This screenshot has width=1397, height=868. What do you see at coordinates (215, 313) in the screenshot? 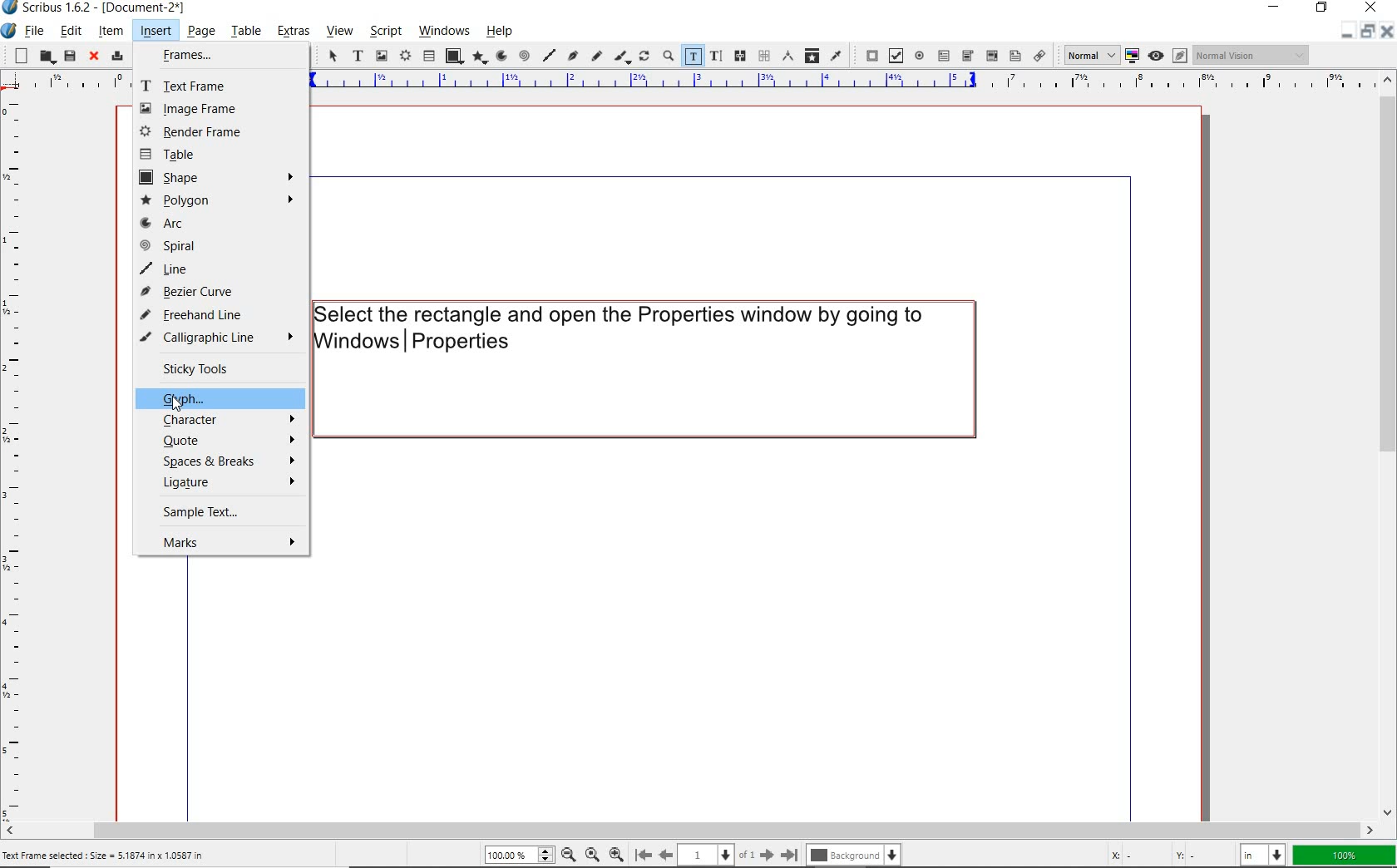
I see `freehand line` at bounding box center [215, 313].